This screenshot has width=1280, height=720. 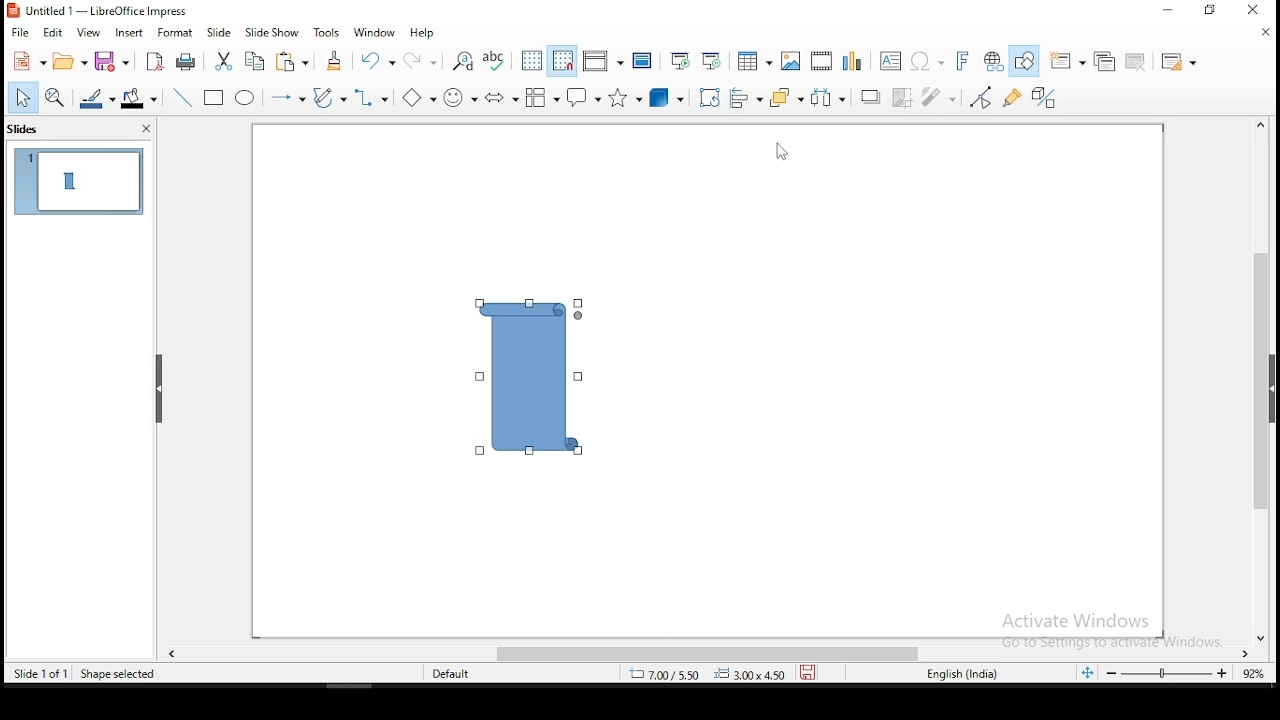 What do you see at coordinates (643, 61) in the screenshot?
I see `master slide` at bounding box center [643, 61].